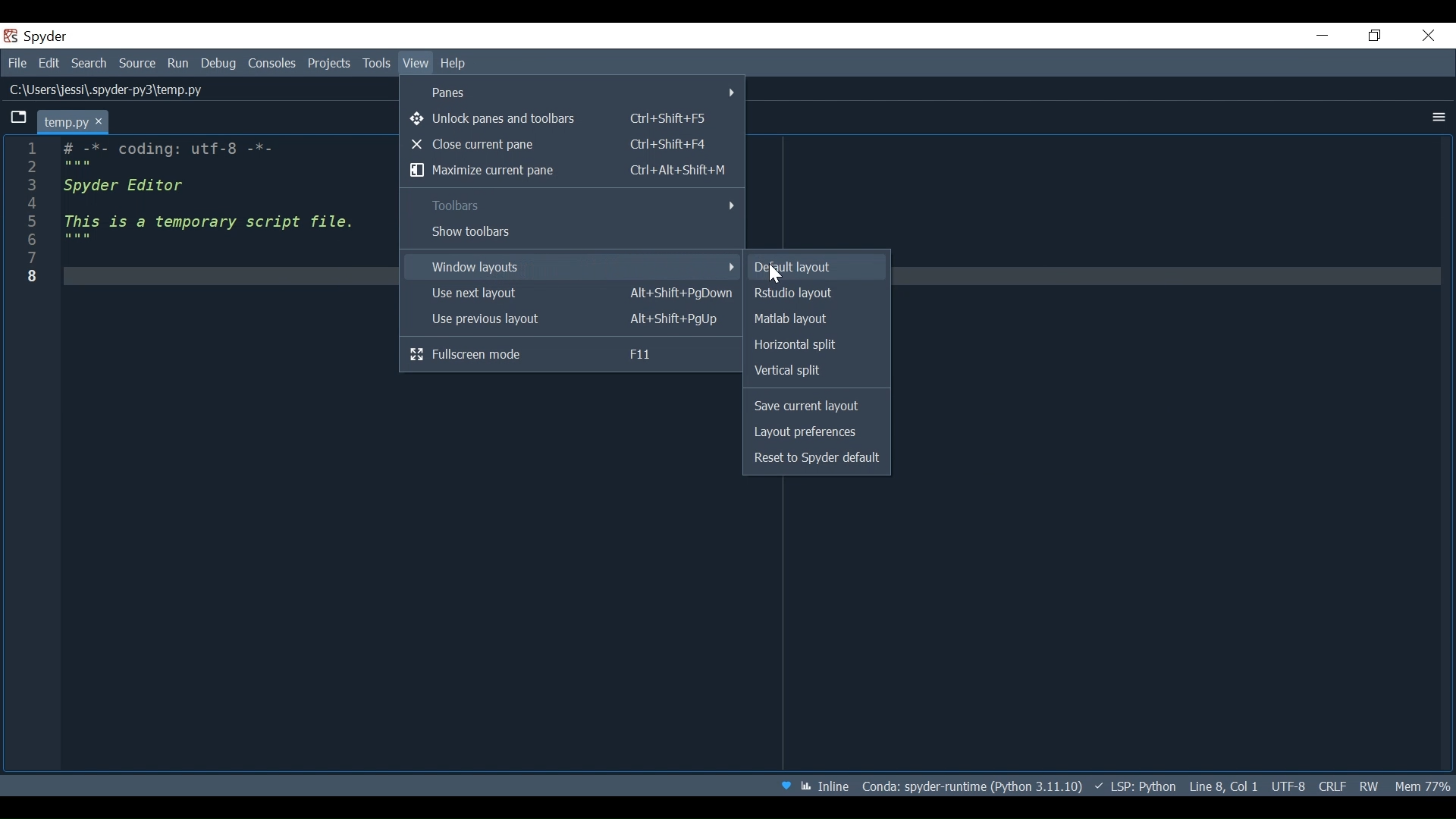  What do you see at coordinates (571, 320) in the screenshot?
I see `Use previous layout` at bounding box center [571, 320].